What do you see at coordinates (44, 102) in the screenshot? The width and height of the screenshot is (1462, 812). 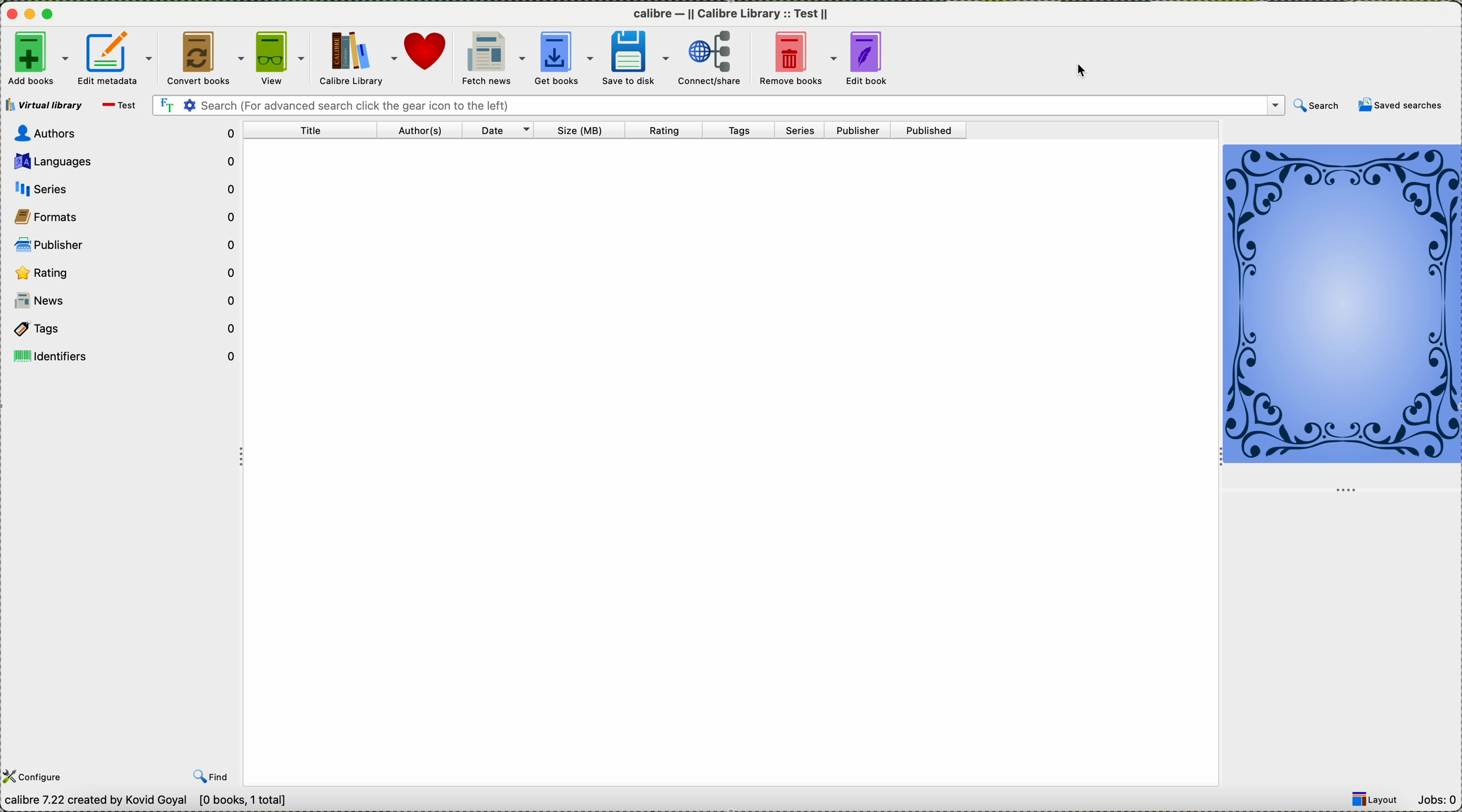 I see `click on virtual library` at bounding box center [44, 102].